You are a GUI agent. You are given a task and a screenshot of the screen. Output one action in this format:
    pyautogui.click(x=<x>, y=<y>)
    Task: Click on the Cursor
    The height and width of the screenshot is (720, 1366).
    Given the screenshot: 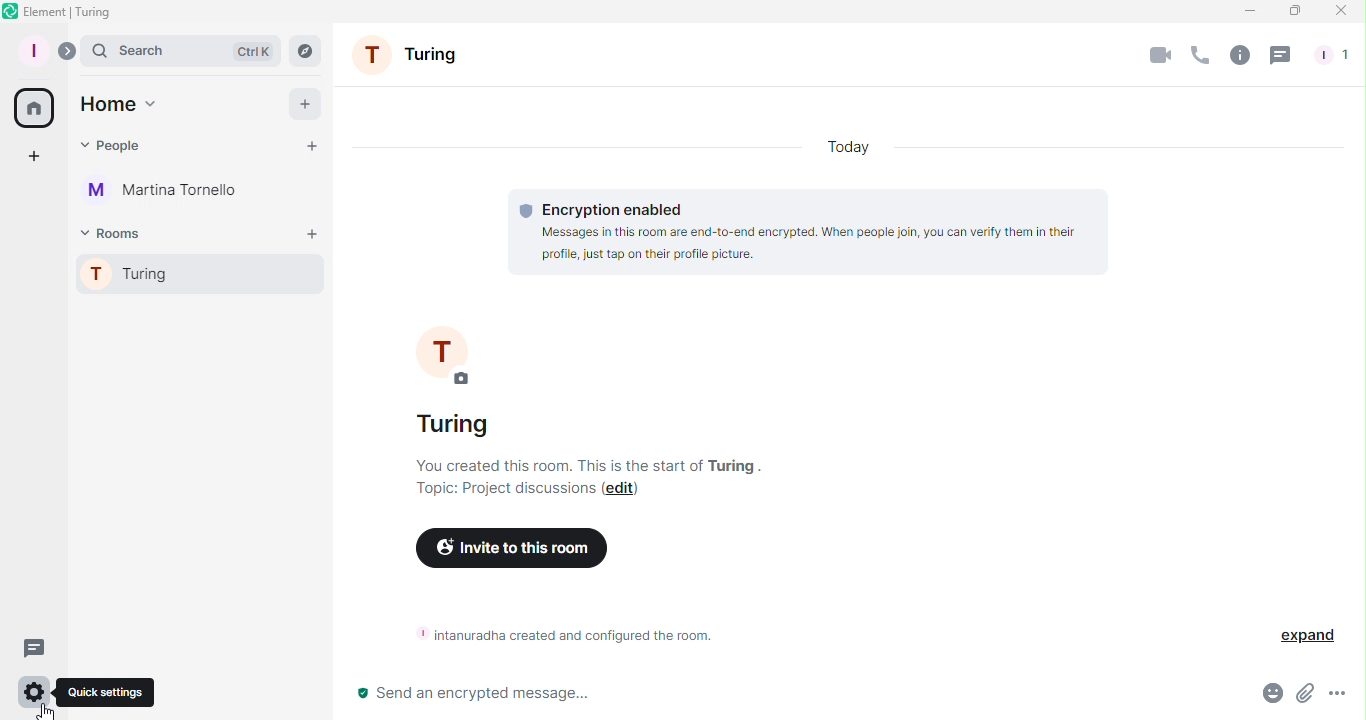 What is the action you would take?
    pyautogui.click(x=44, y=710)
    